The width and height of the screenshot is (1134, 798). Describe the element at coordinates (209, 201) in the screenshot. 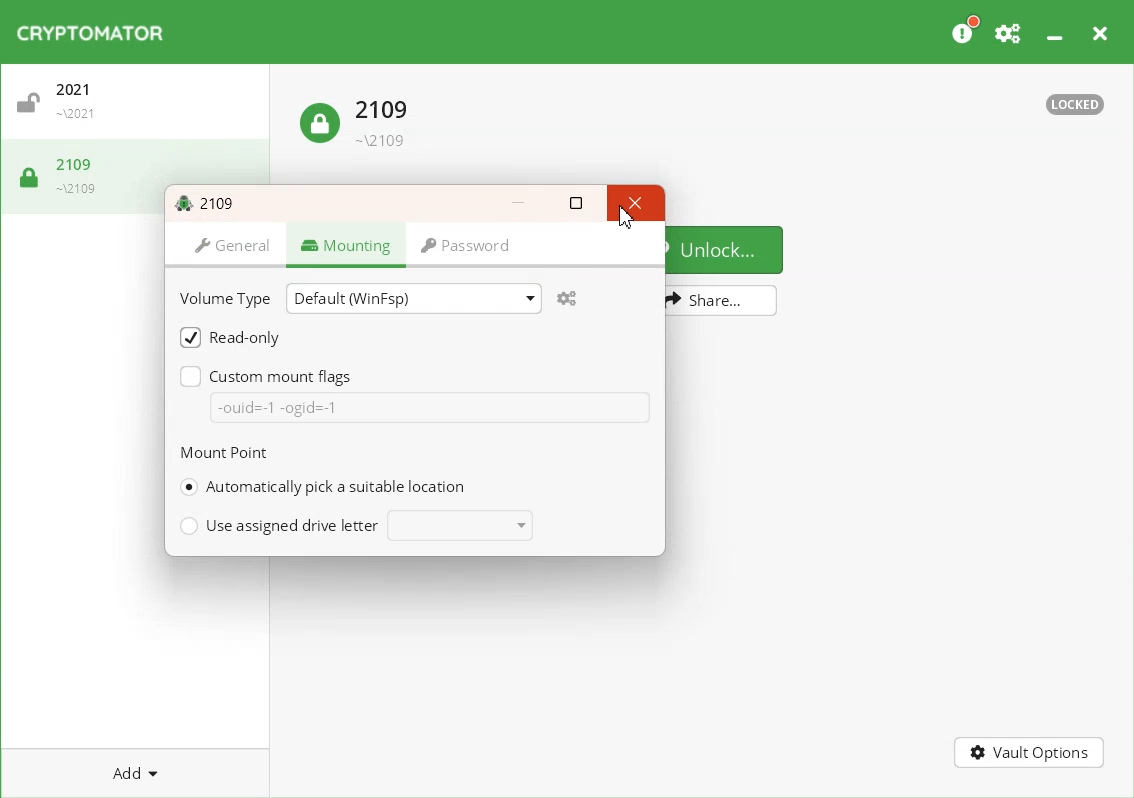

I see `Text` at that location.